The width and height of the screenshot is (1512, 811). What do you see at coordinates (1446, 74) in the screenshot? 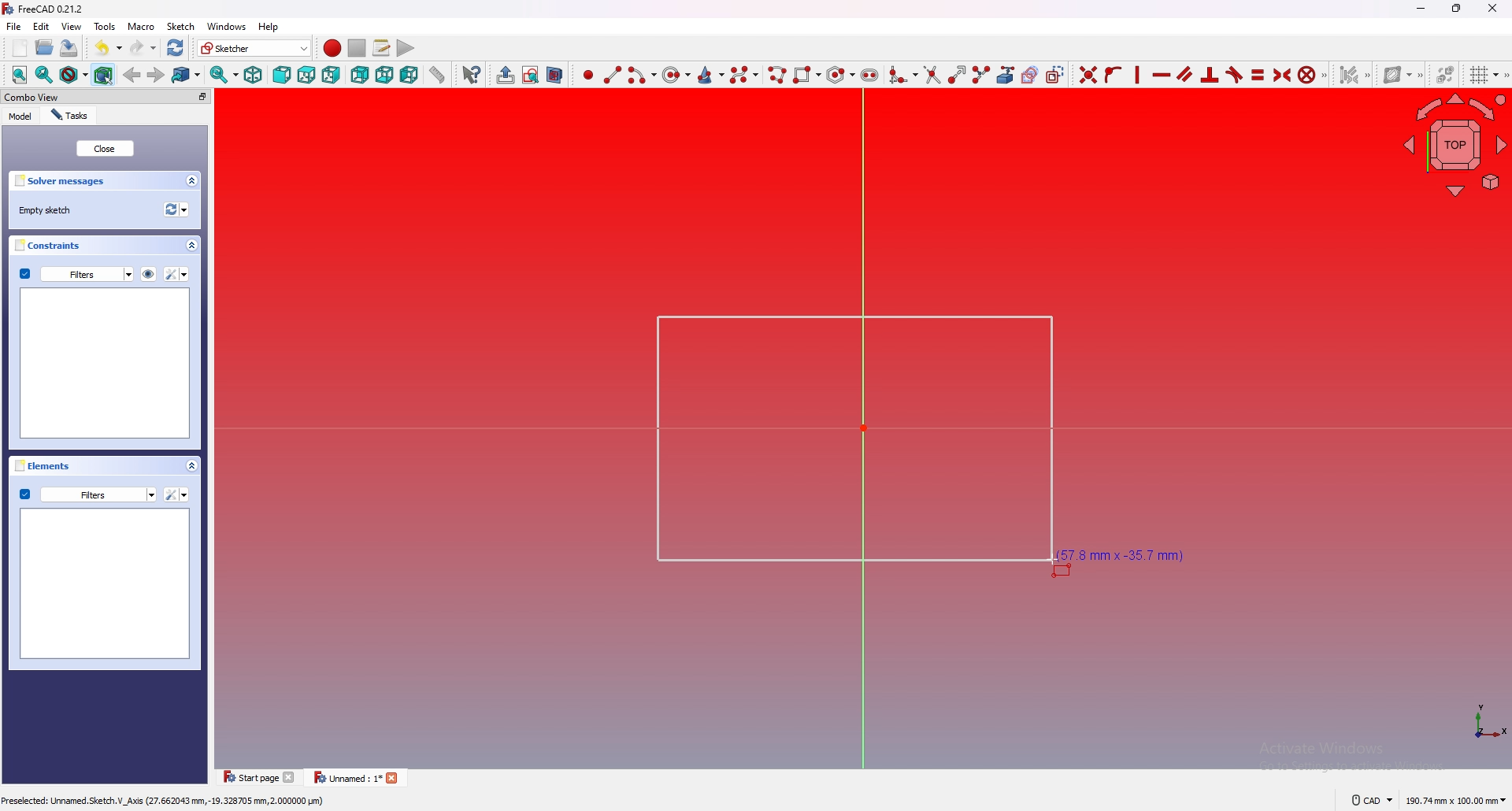
I see `switch virtual space` at bounding box center [1446, 74].